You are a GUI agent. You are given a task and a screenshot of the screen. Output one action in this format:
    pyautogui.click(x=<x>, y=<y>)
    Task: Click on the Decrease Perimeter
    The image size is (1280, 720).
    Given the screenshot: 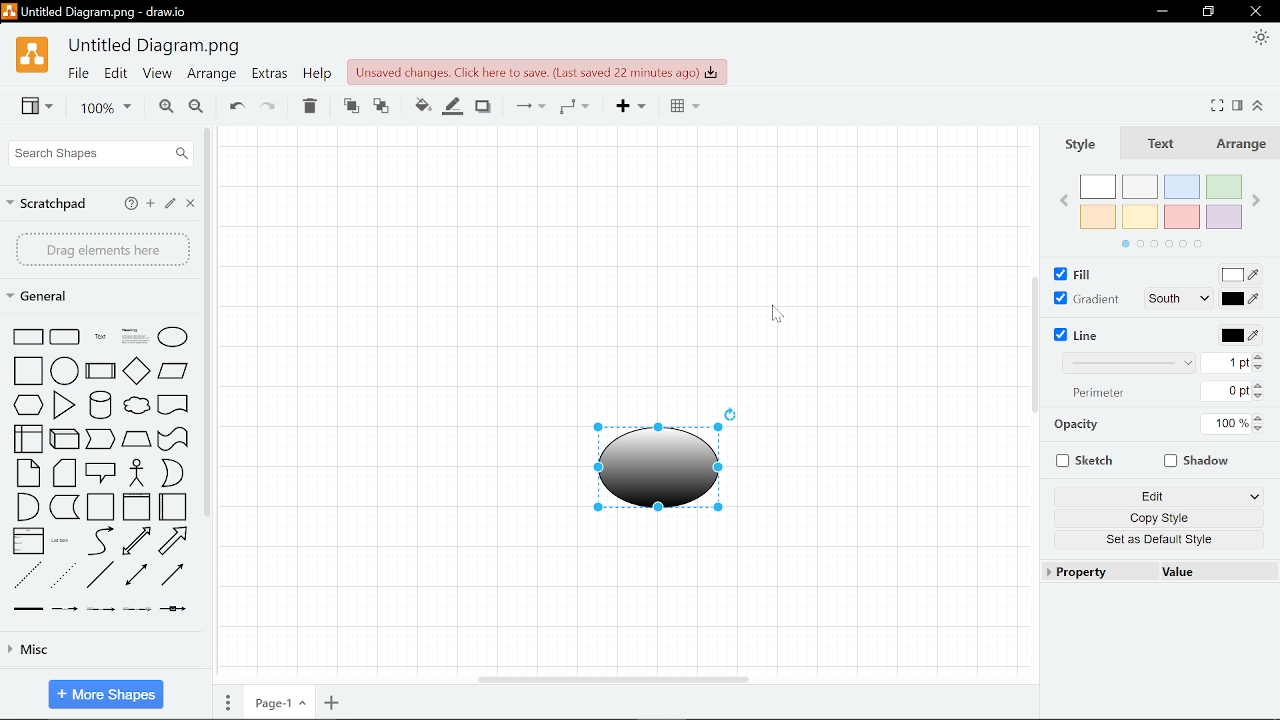 What is the action you would take?
    pyautogui.click(x=1262, y=397)
    